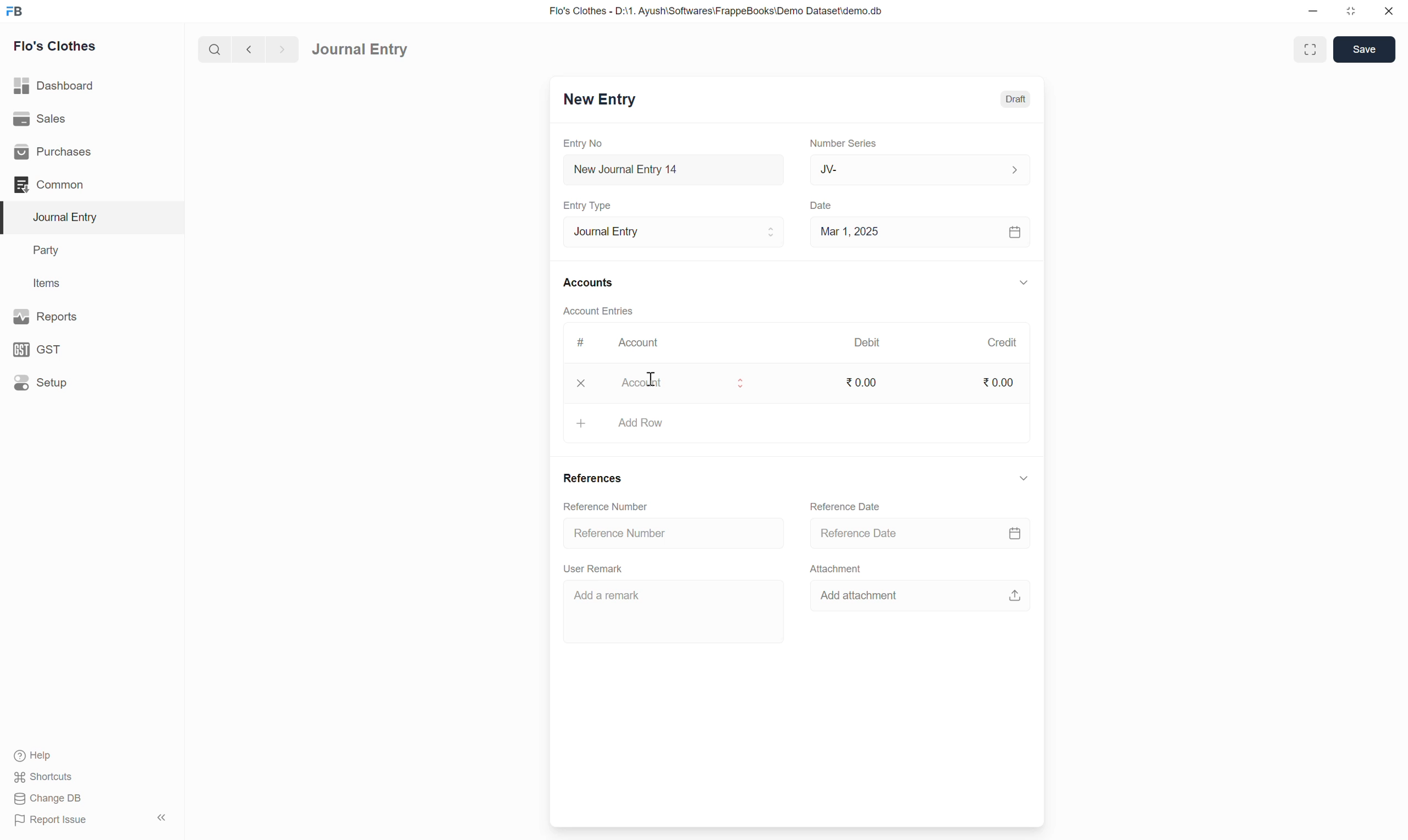 The image size is (1408, 840). Describe the element at coordinates (650, 379) in the screenshot. I see `cursor` at that location.